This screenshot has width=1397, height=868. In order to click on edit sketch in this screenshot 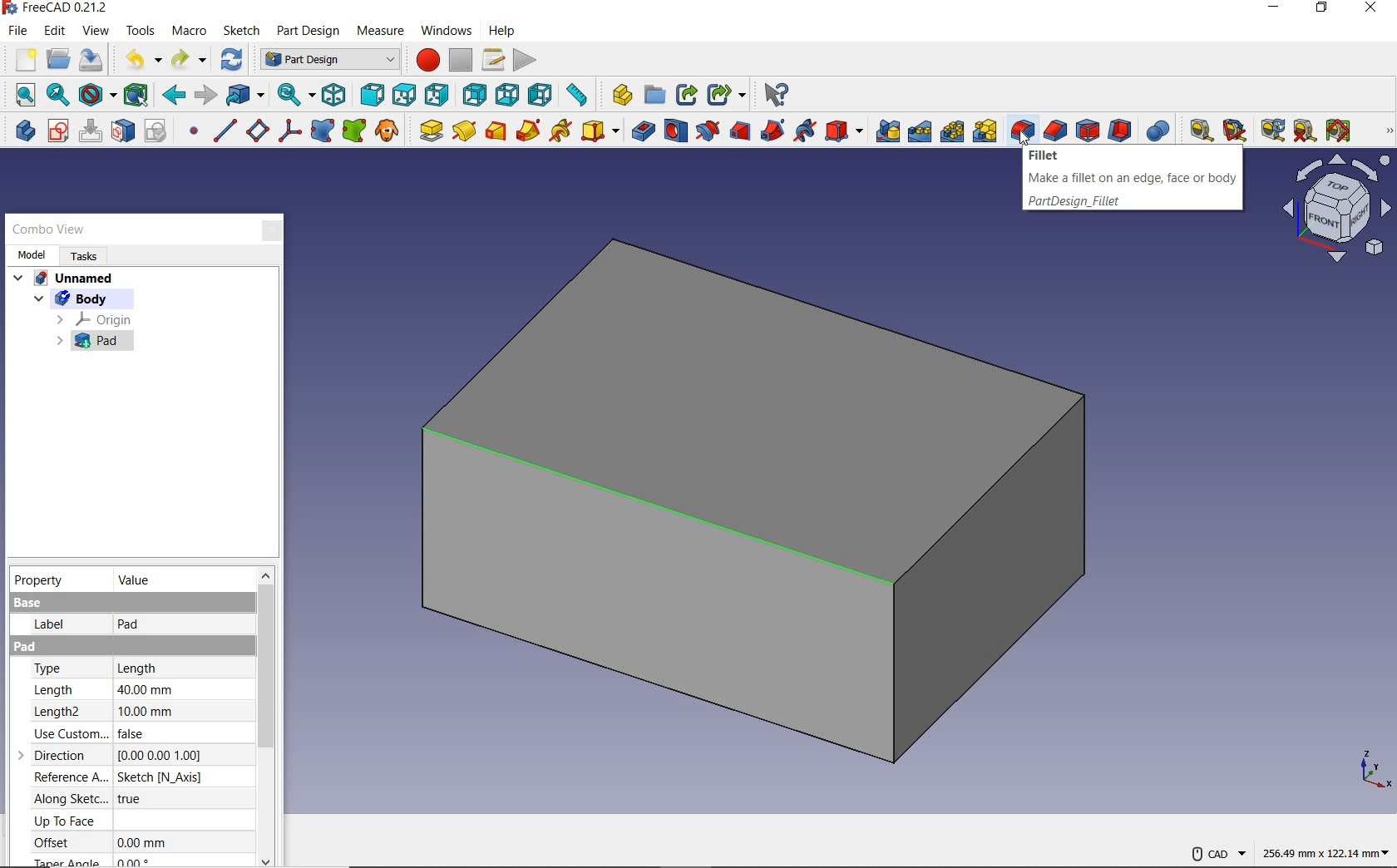, I will do `click(90, 131)`.